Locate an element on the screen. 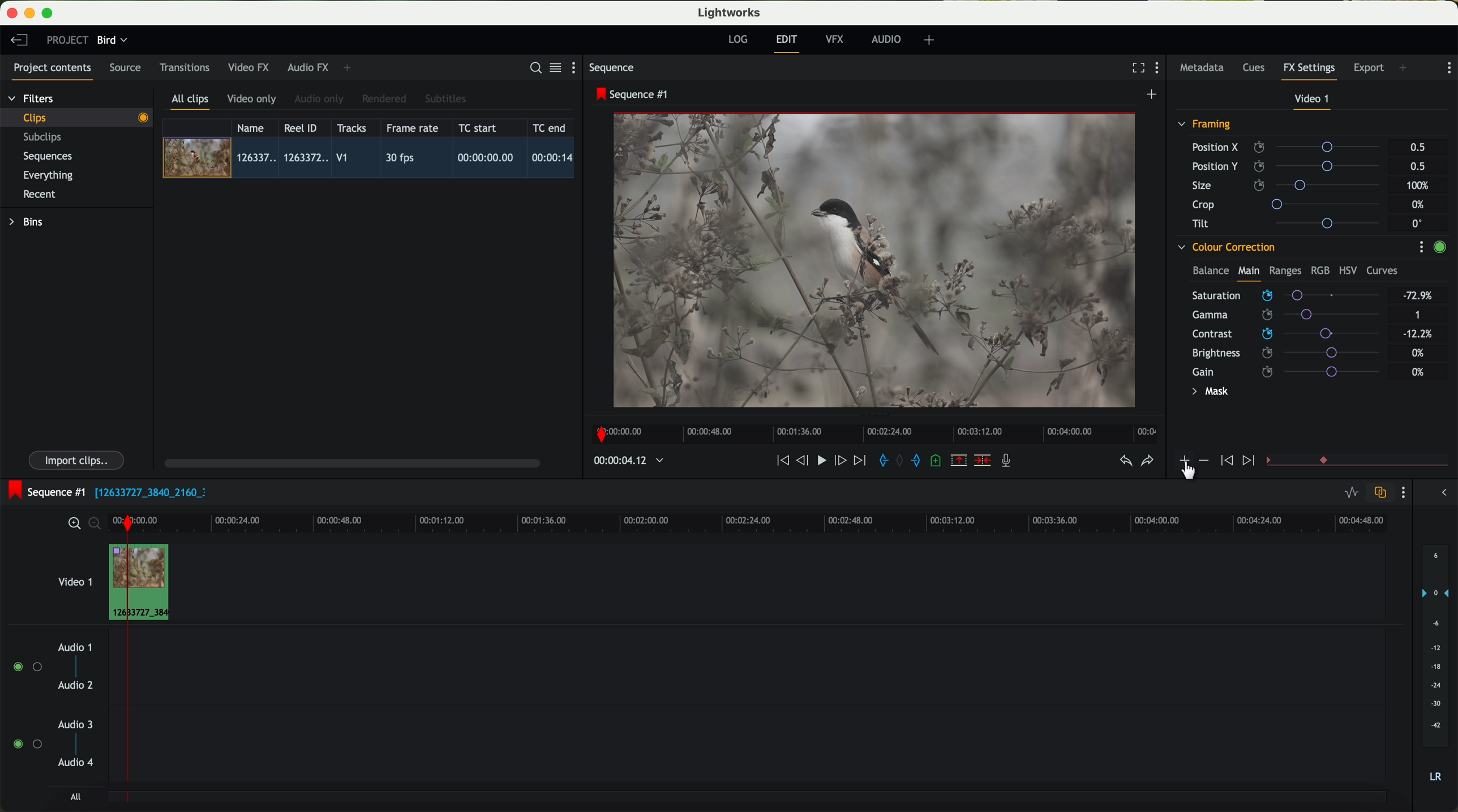  audio FX is located at coordinates (308, 67).